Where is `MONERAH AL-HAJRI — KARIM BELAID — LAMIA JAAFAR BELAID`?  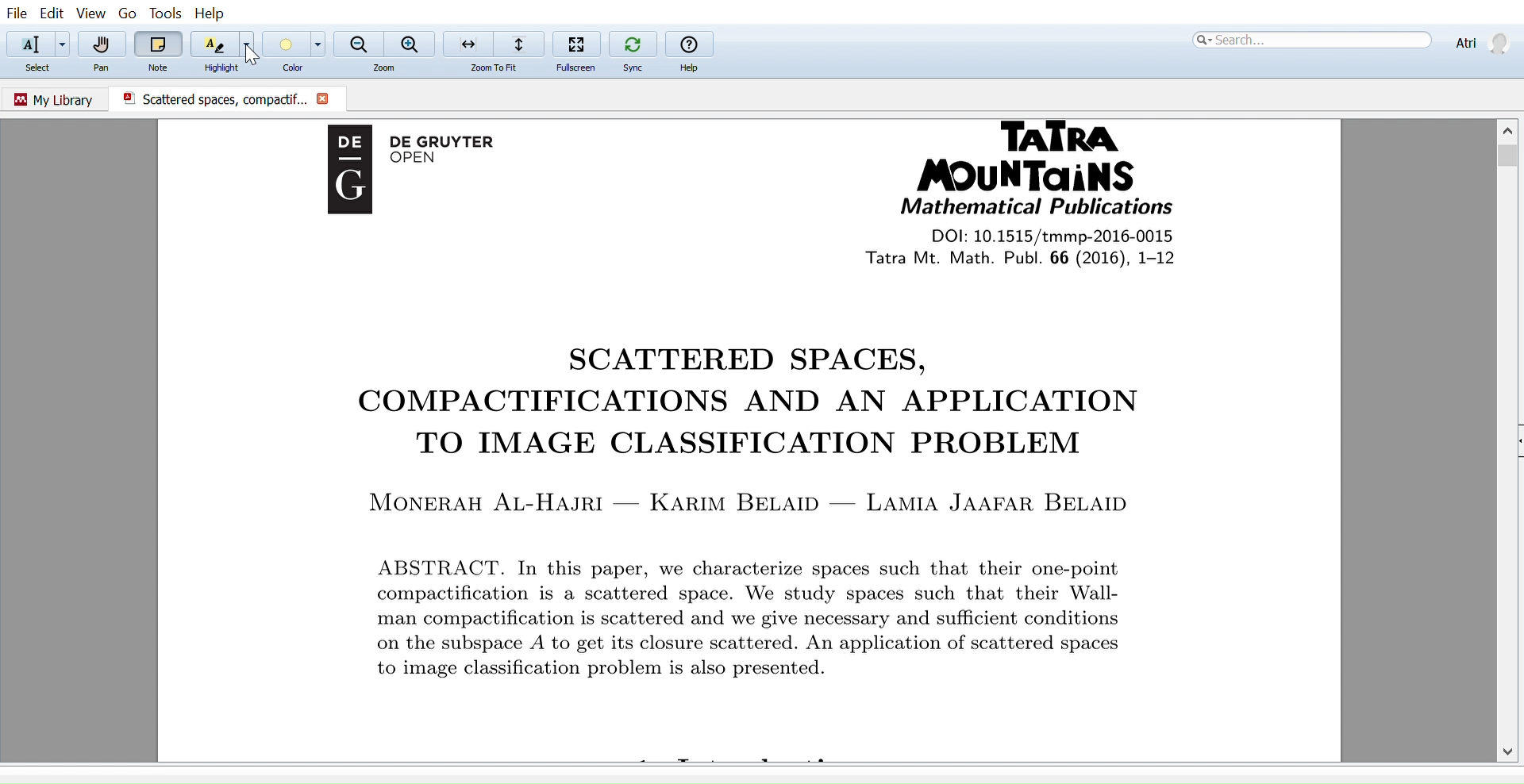 MONERAH AL-HAJRI — KARIM BELAID — LAMIA JAAFAR BELAID is located at coordinates (754, 501).